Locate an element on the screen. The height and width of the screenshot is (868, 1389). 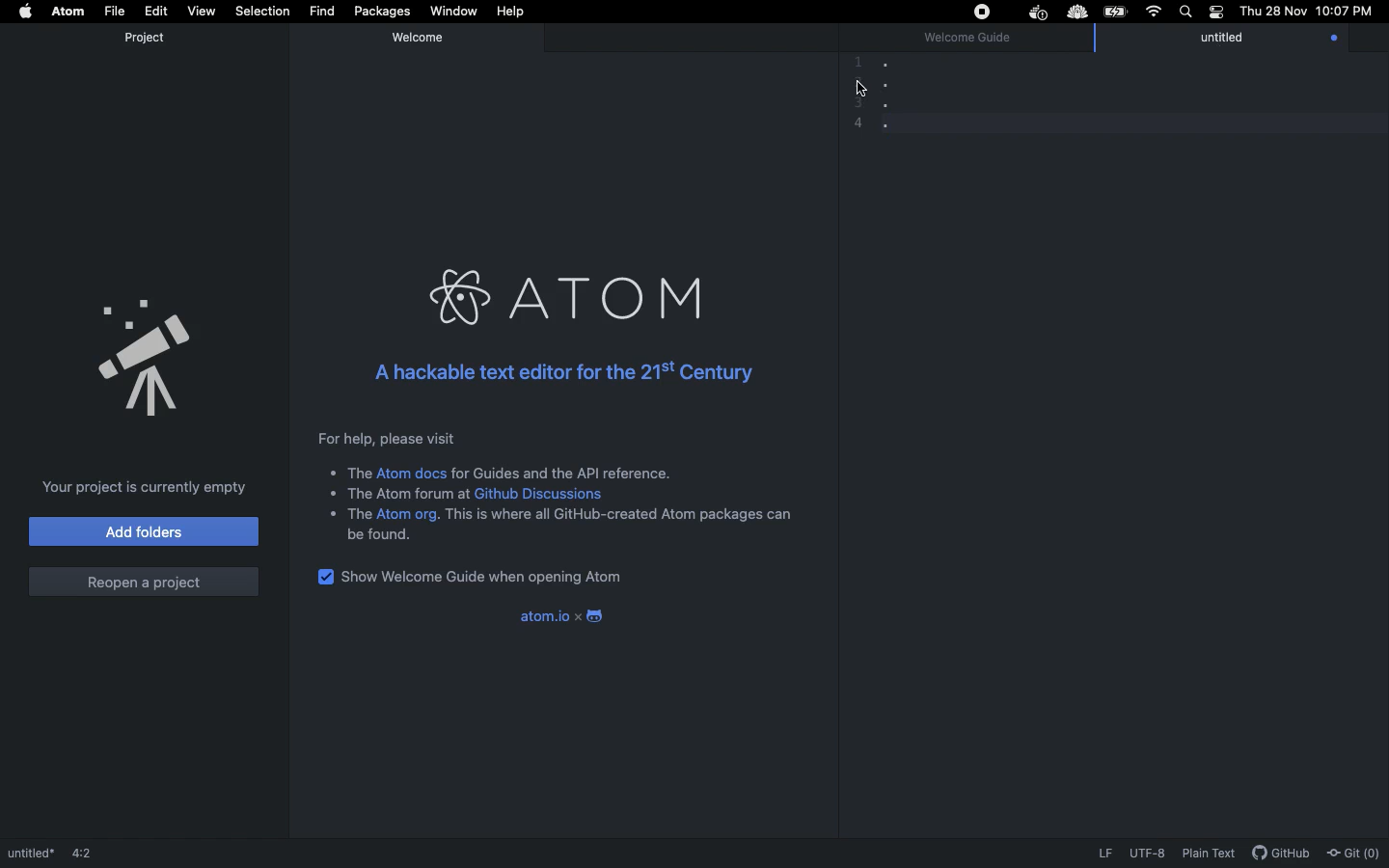
text is located at coordinates (350, 474).